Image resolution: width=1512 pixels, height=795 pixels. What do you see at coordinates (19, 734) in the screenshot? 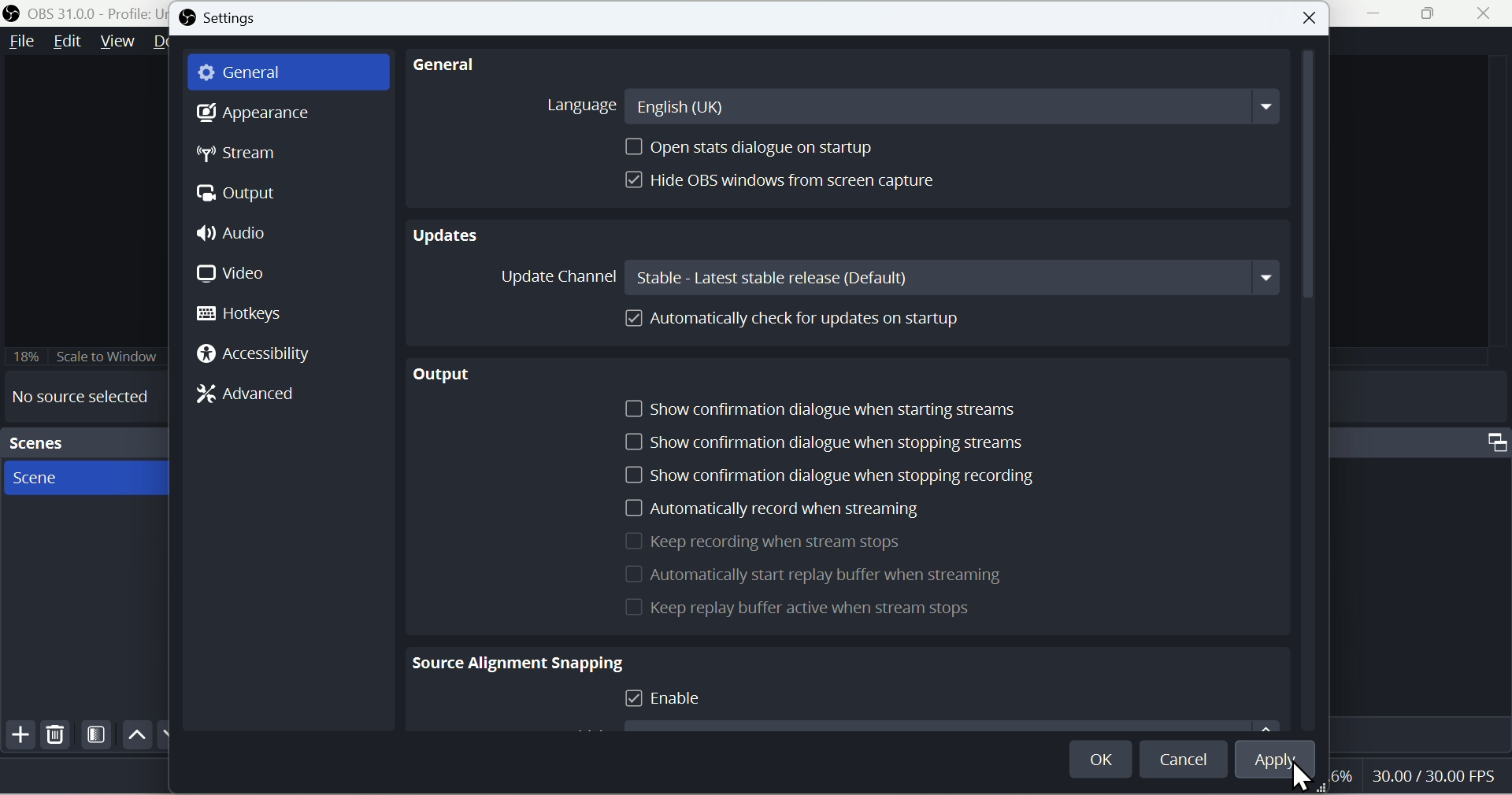
I see `Add file` at bounding box center [19, 734].